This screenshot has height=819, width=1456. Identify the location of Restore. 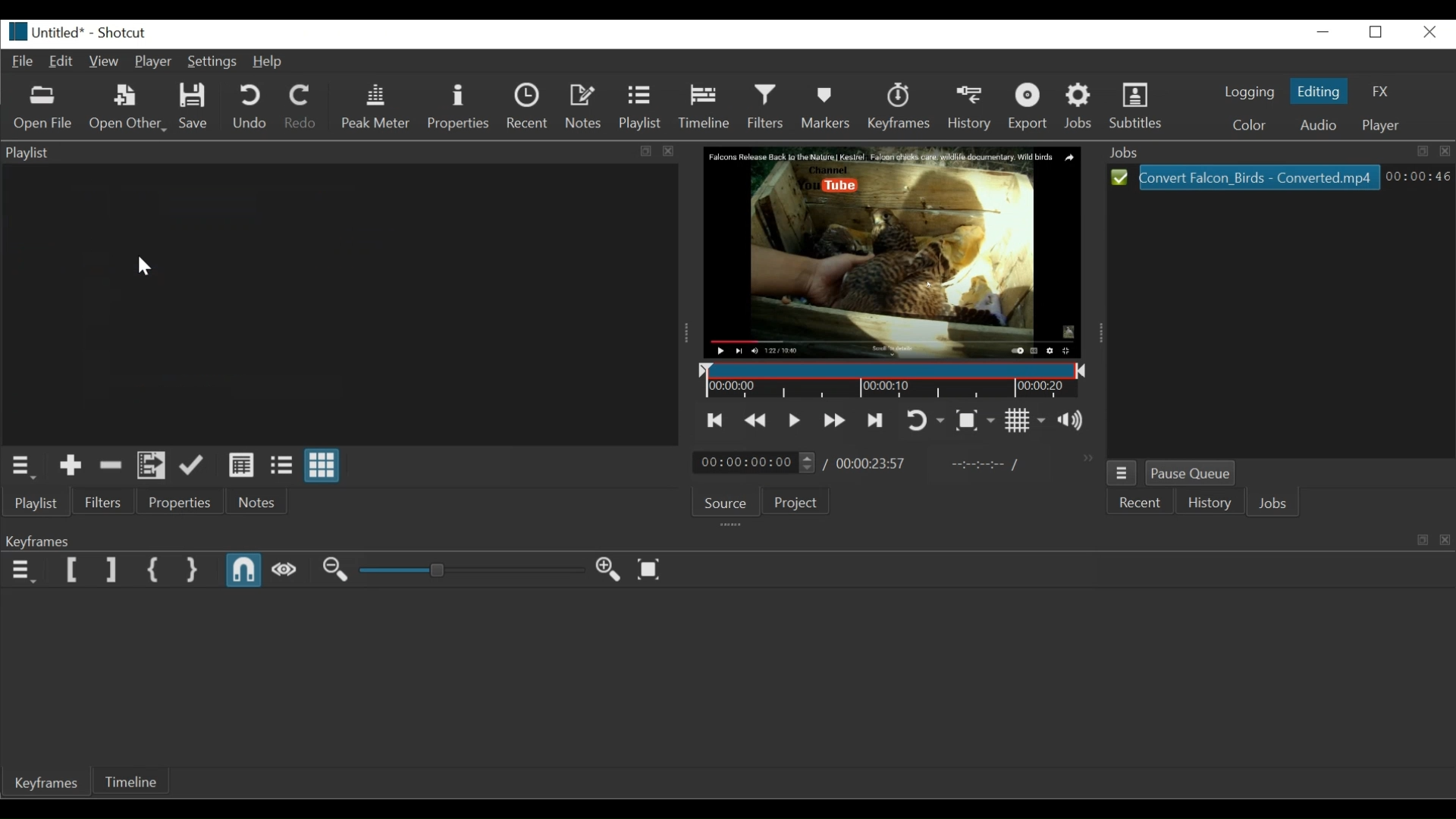
(642, 152).